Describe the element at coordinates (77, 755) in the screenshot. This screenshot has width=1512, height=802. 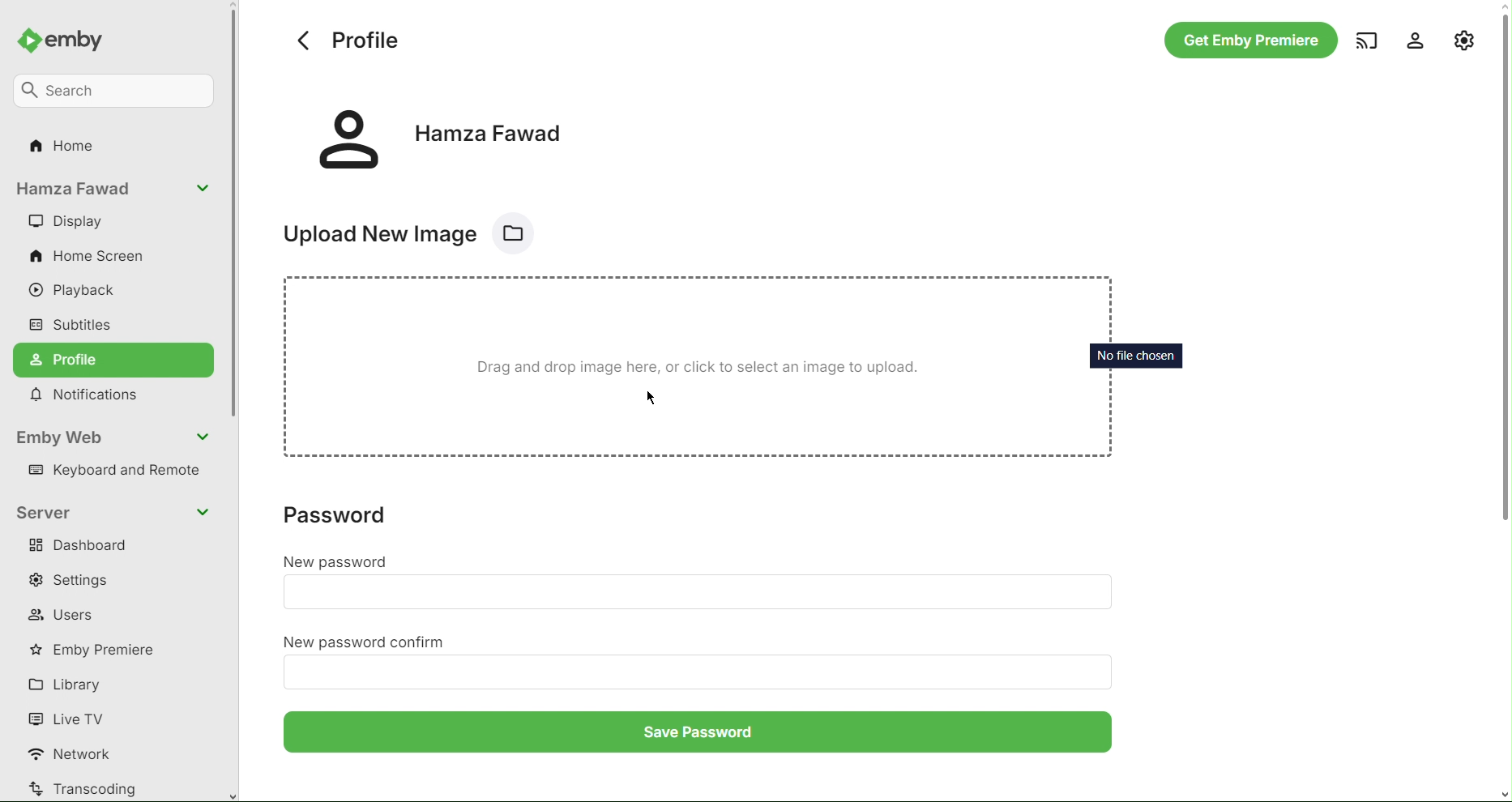
I see `Network` at that location.